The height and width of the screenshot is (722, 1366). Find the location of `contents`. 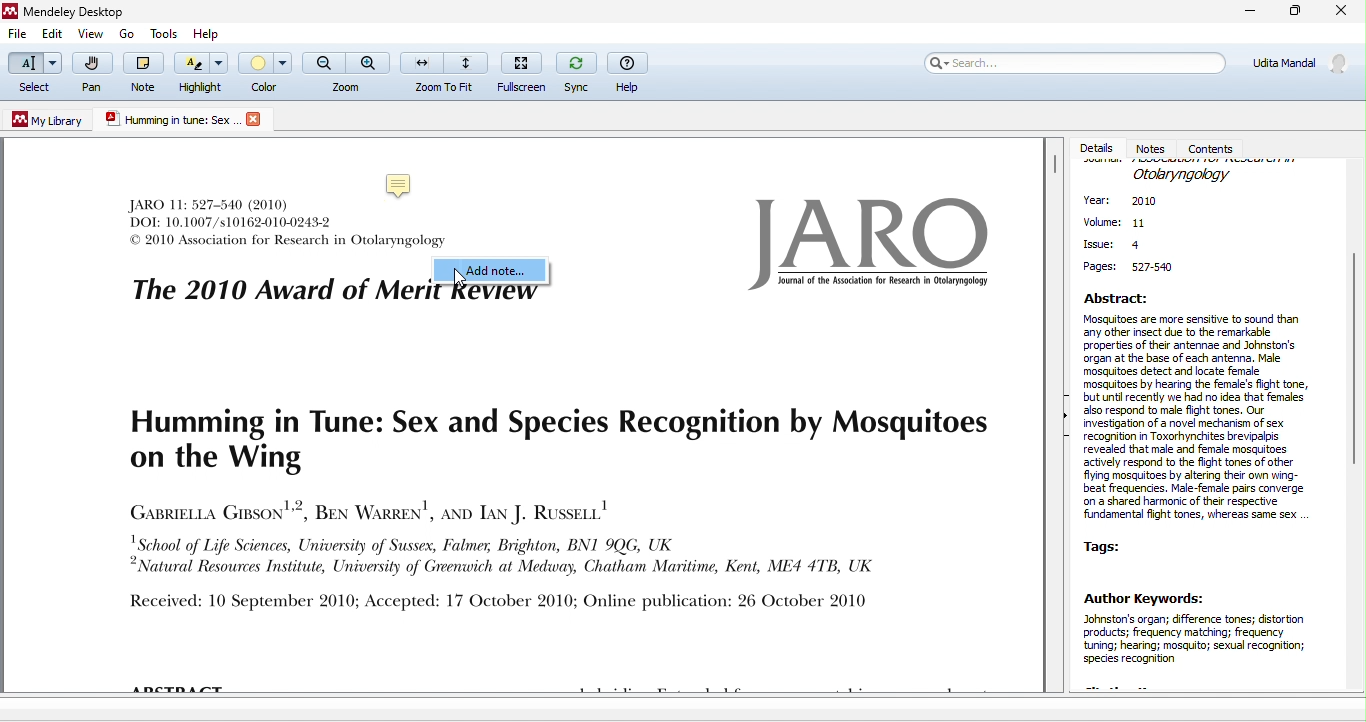

contents is located at coordinates (1215, 147).